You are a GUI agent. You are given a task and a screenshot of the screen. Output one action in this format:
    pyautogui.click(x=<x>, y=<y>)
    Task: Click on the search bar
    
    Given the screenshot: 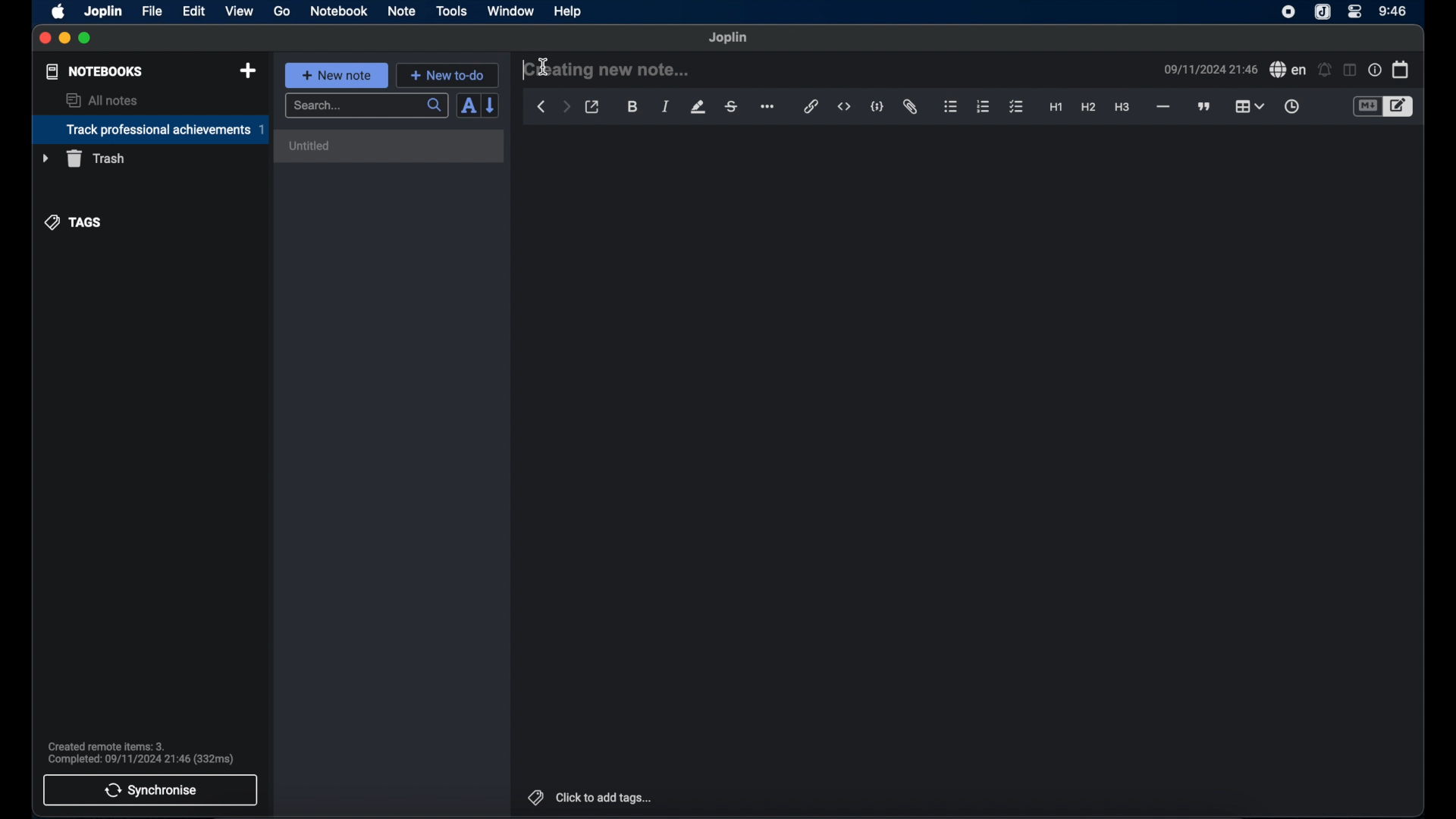 What is the action you would take?
    pyautogui.click(x=366, y=106)
    